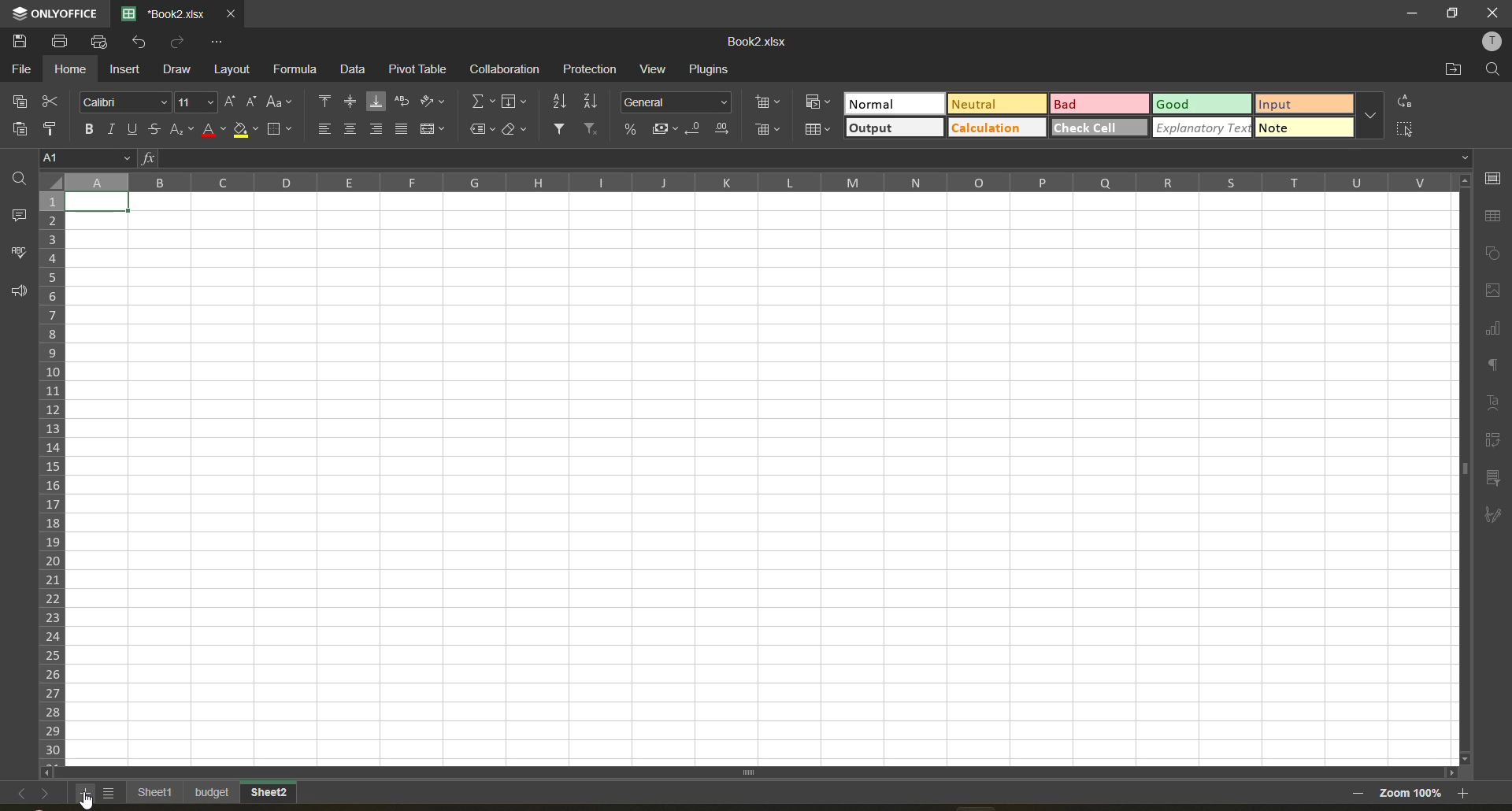 Image resolution: width=1512 pixels, height=811 pixels. I want to click on pivot table, so click(420, 71).